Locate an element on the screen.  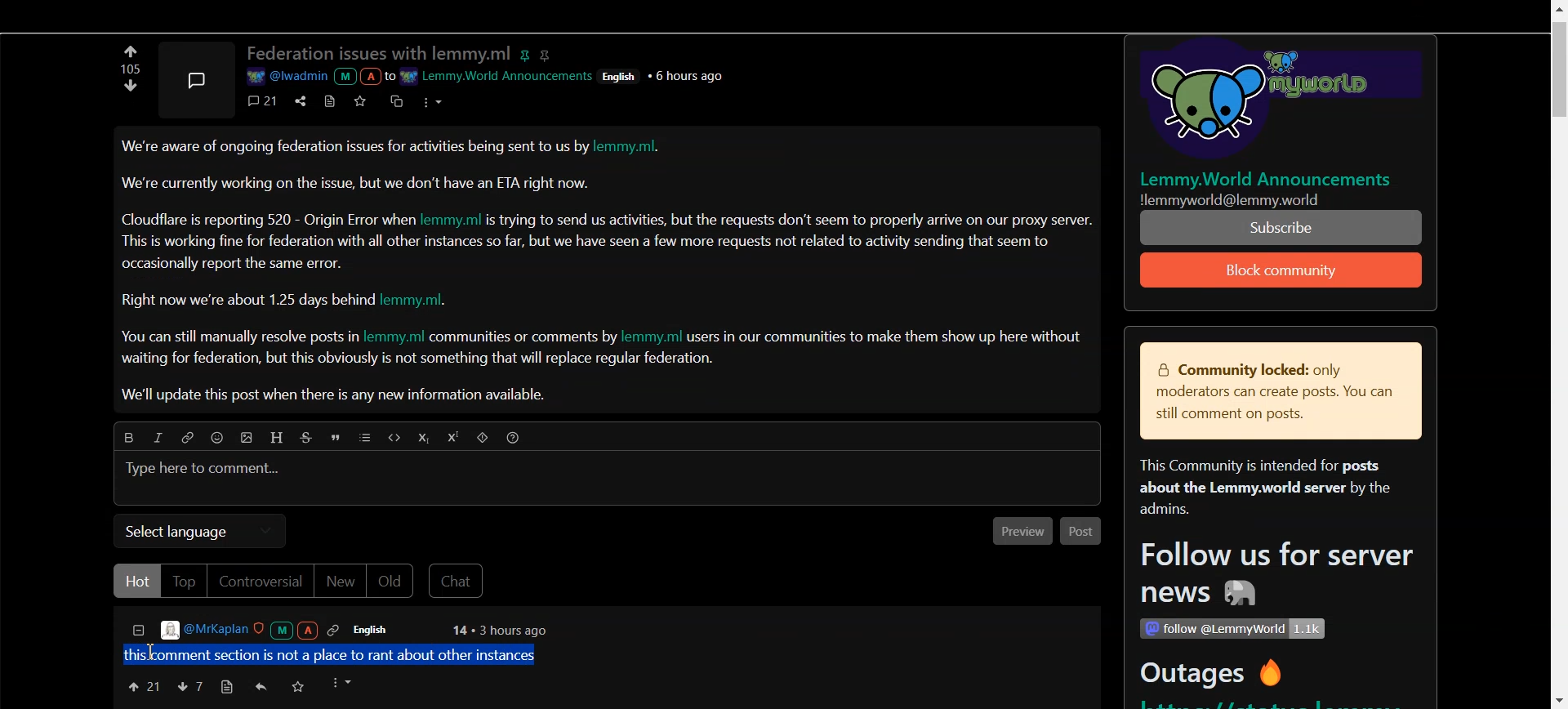
Header is located at coordinates (278, 437).